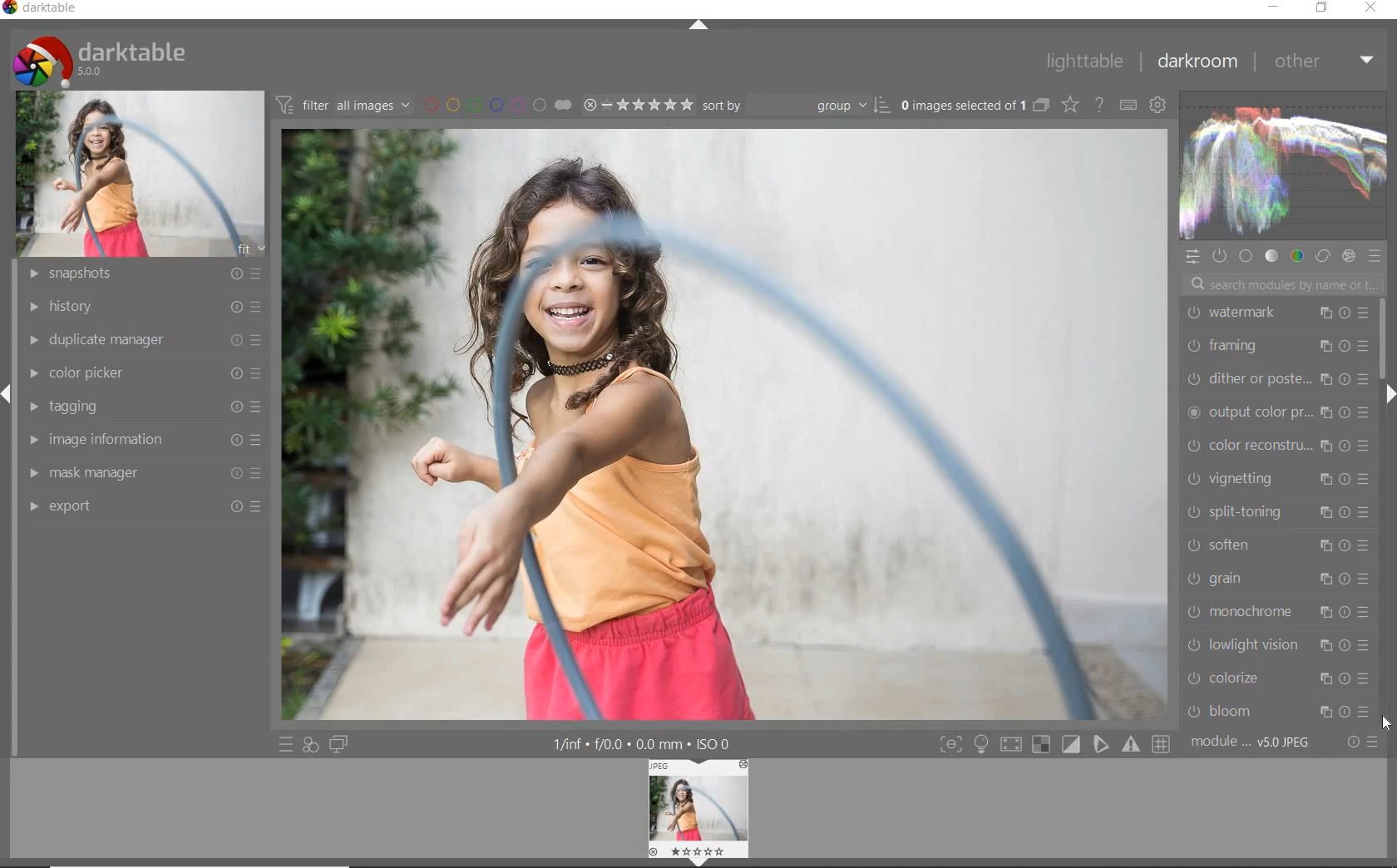  Describe the element at coordinates (1322, 254) in the screenshot. I see `correct` at that location.